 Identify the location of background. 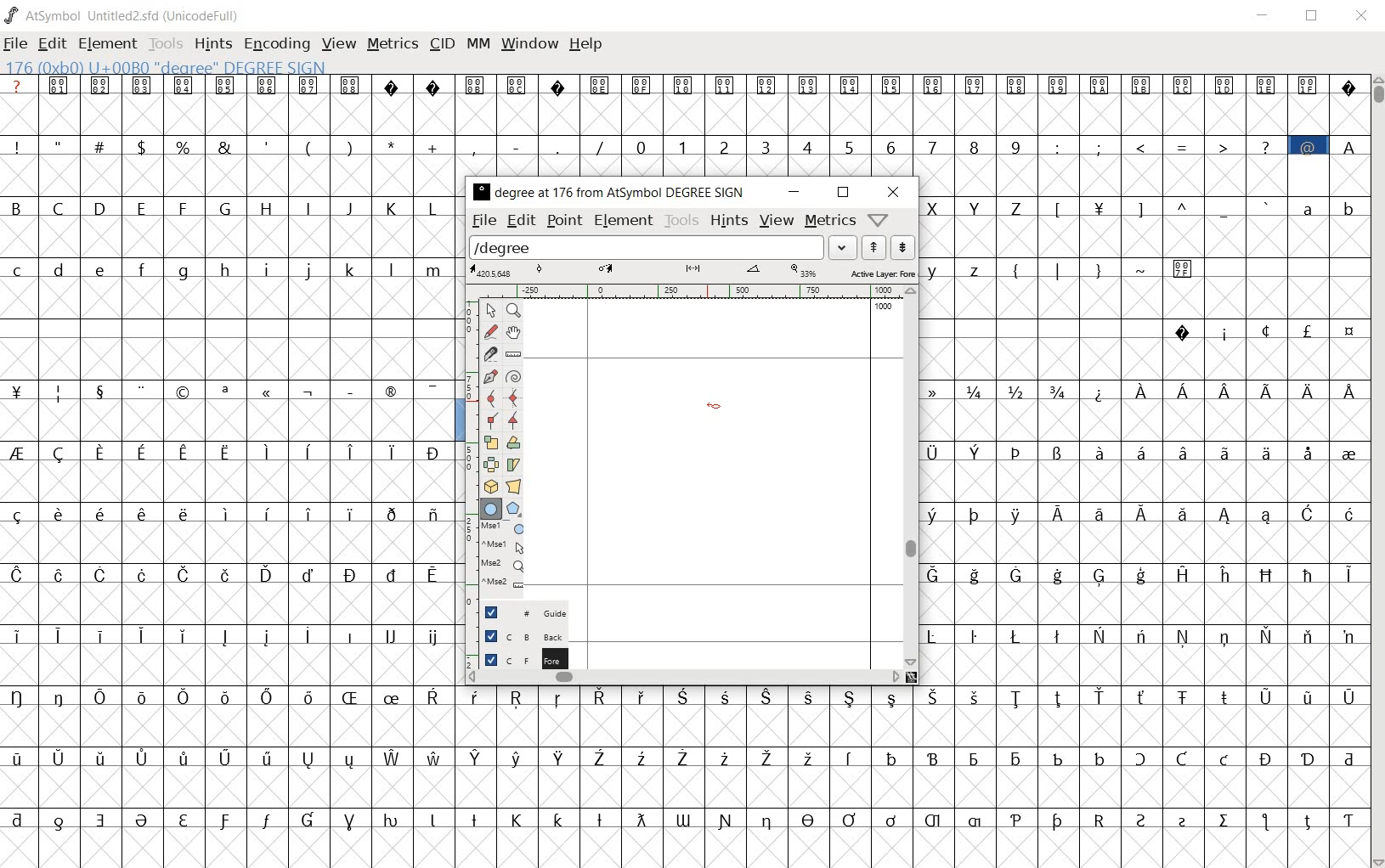
(514, 638).